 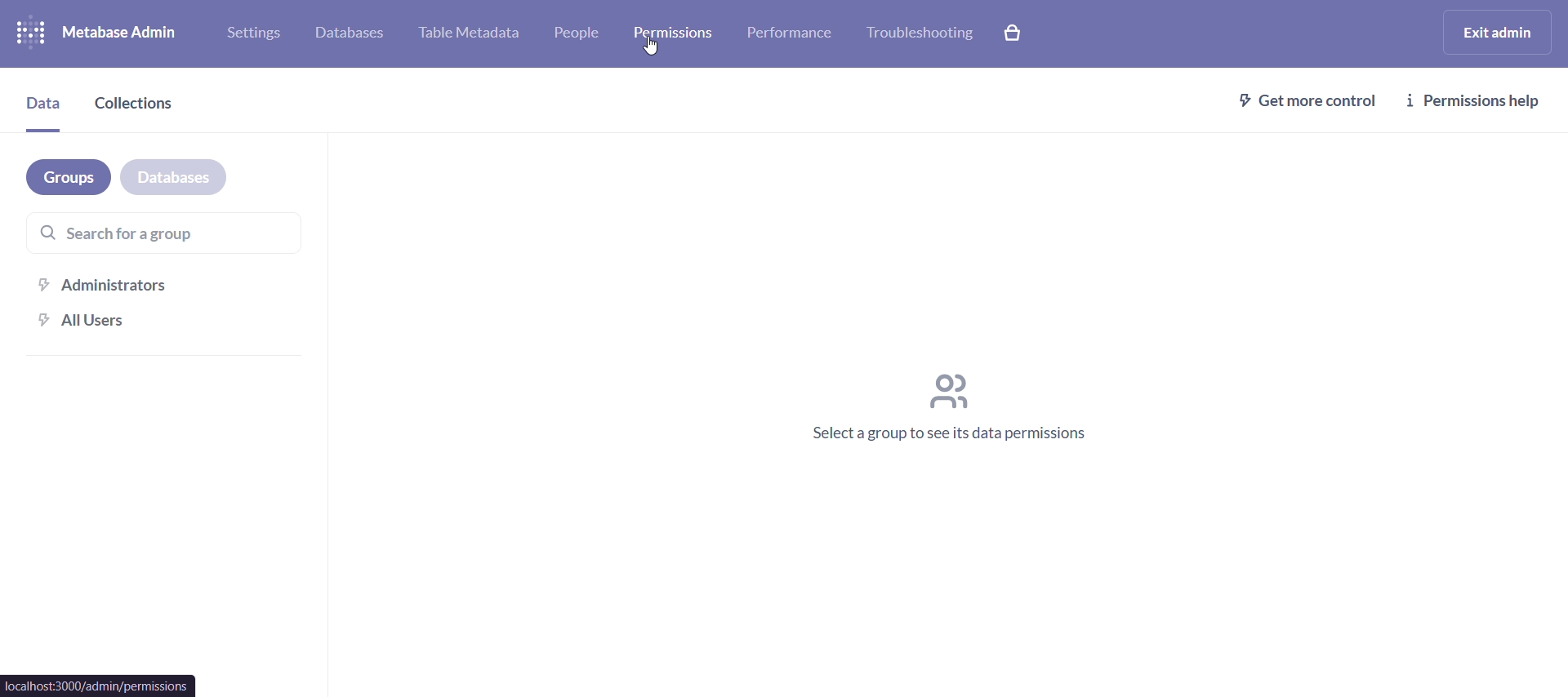 What do you see at coordinates (1477, 101) in the screenshot?
I see `permissions help` at bounding box center [1477, 101].